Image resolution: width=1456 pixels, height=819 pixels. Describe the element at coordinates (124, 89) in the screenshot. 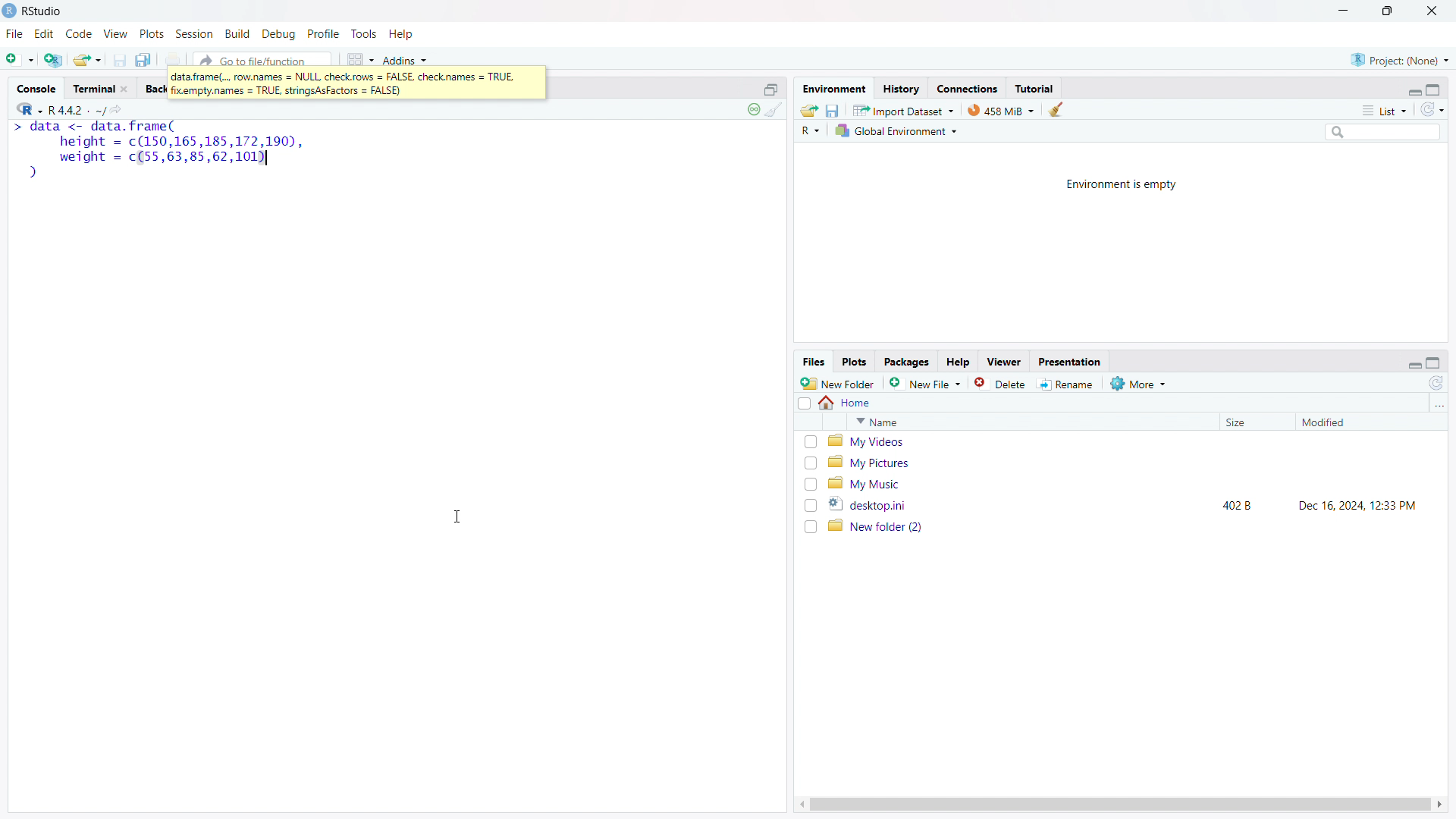

I see `close` at that location.